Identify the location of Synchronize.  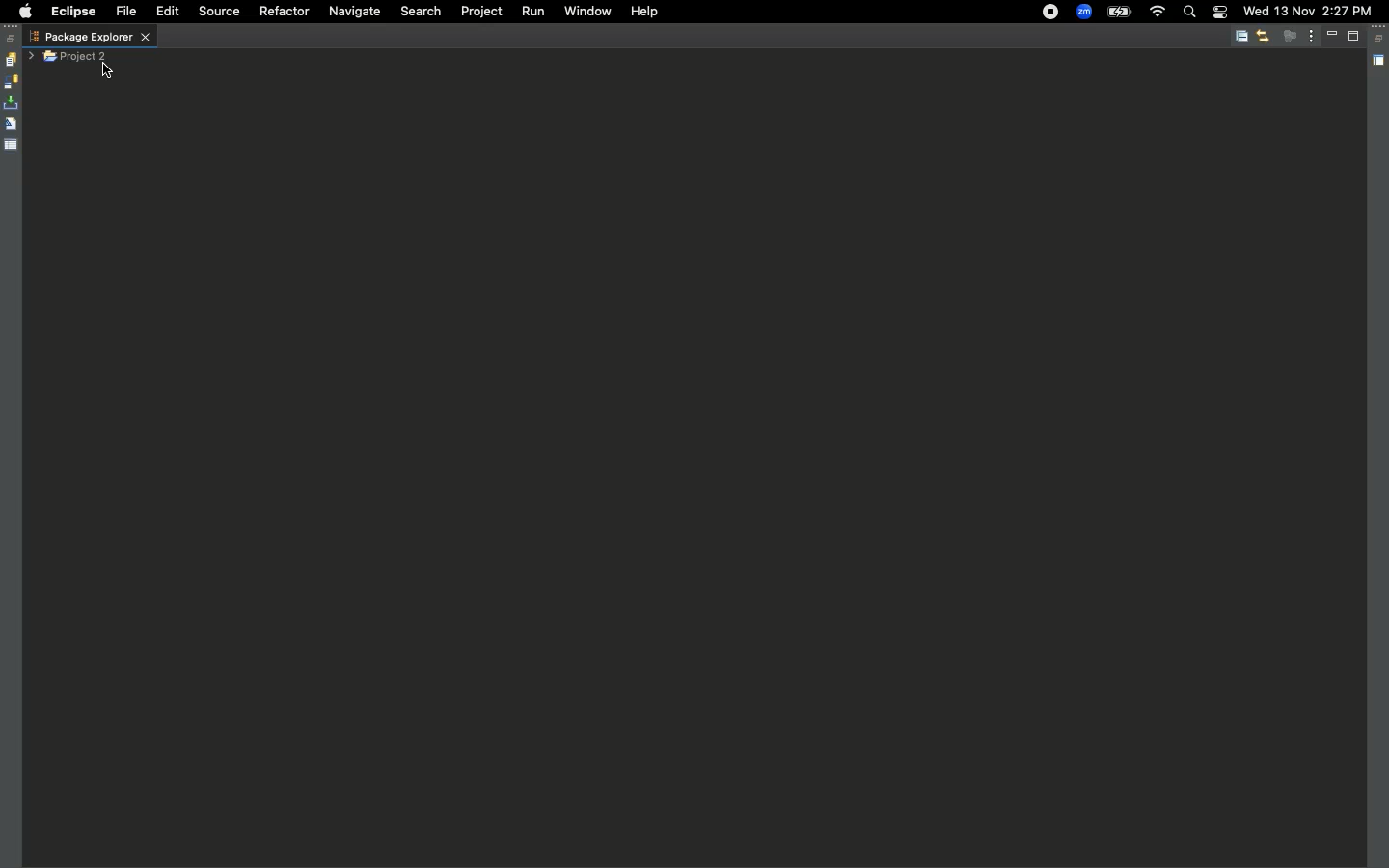
(11, 82).